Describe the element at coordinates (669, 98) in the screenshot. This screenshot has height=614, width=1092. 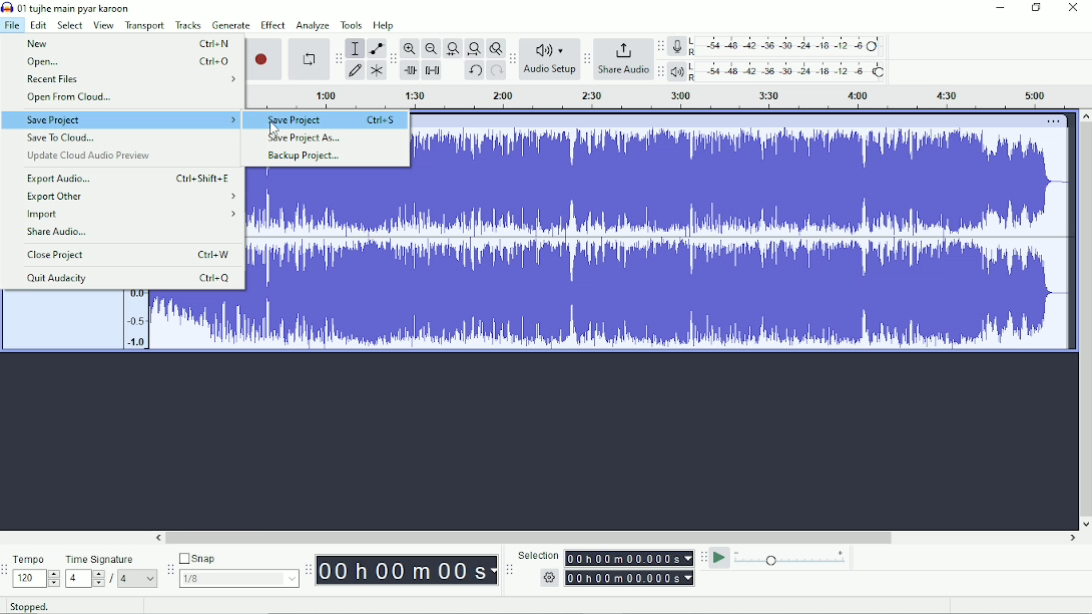
I see `Timeline` at that location.